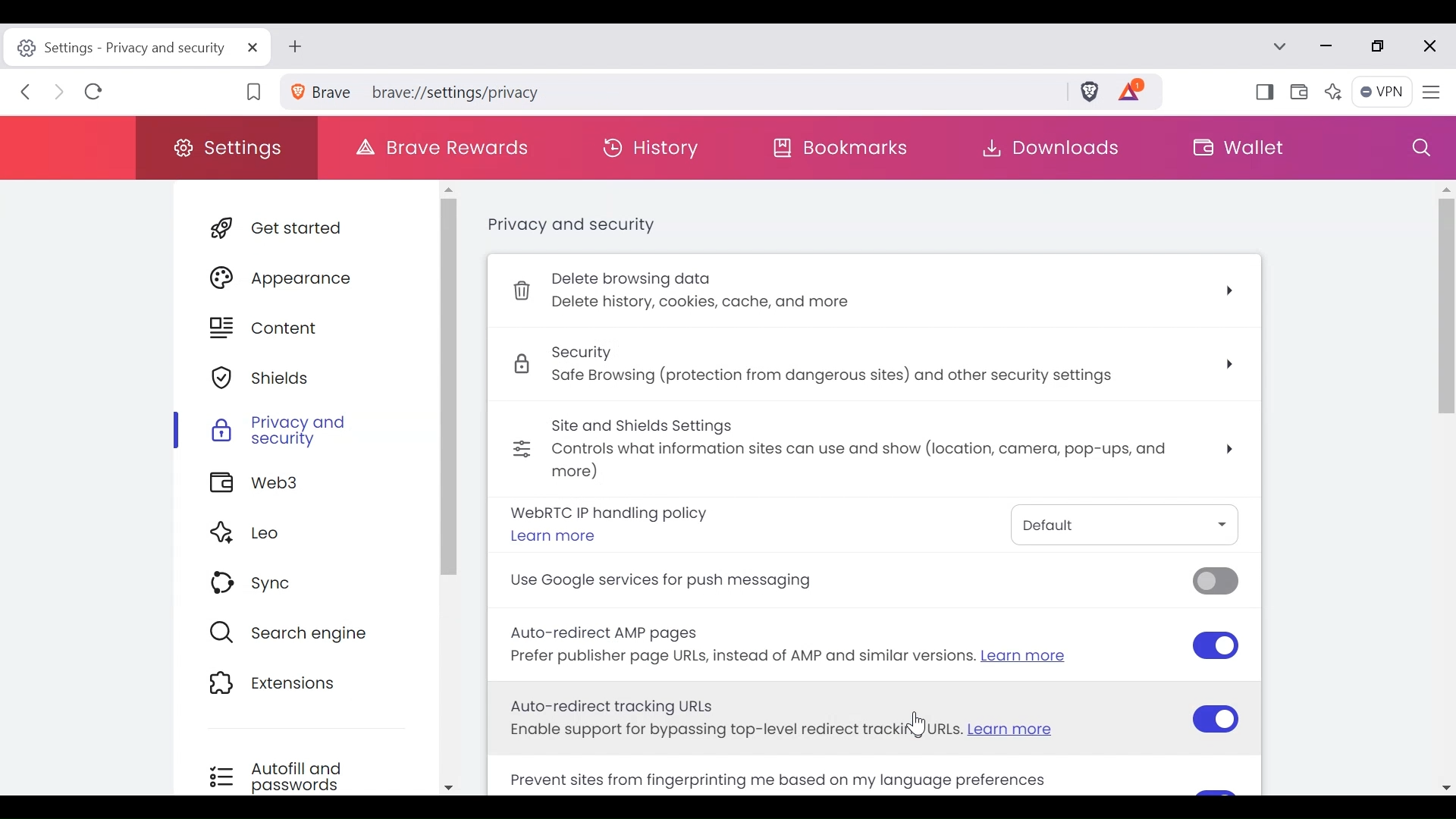 Image resolution: width=1456 pixels, height=819 pixels. Describe the element at coordinates (228, 147) in the screenshot. I see `Settings` at that location.